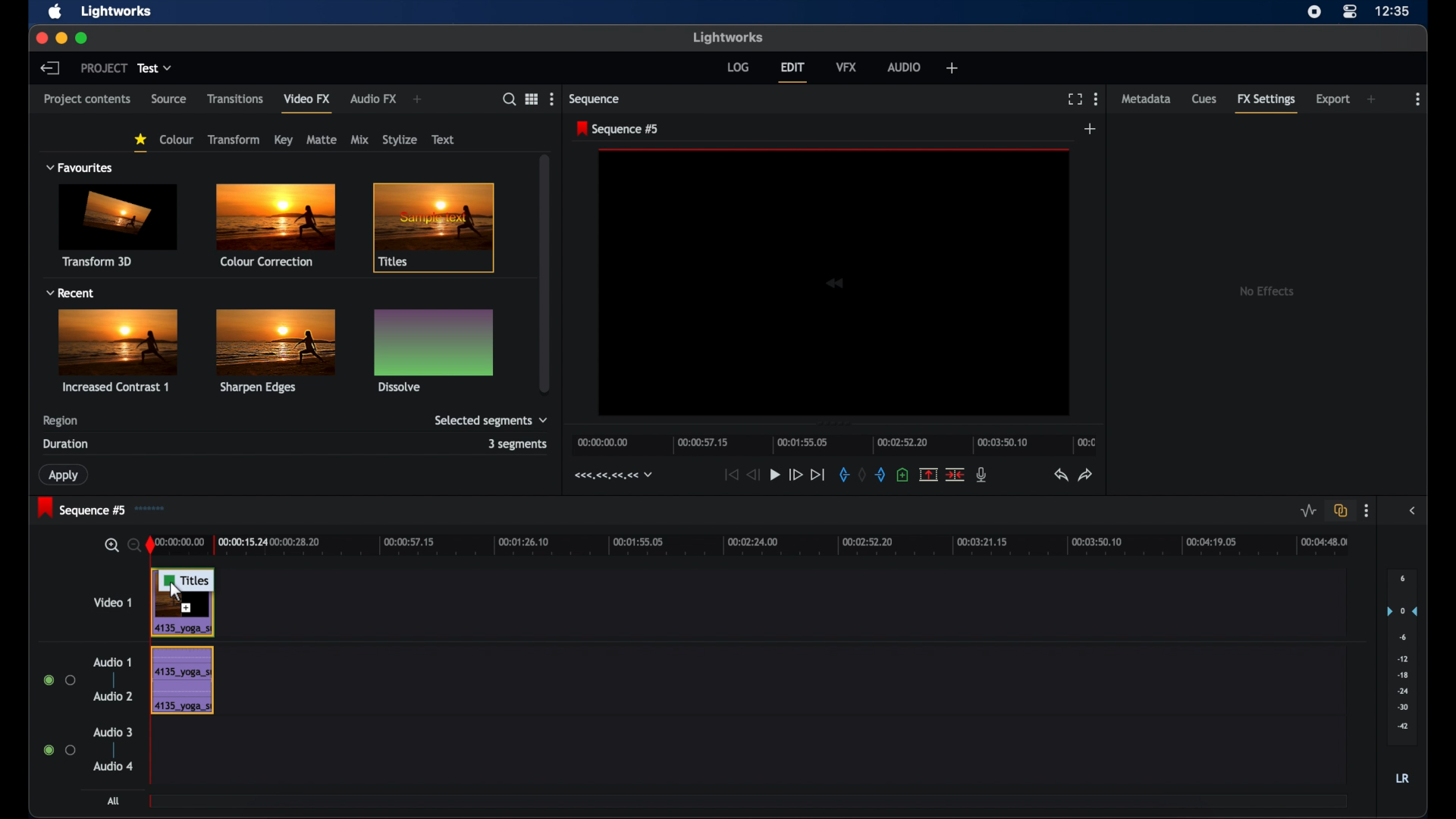 Image resolution: width=1456 pixels, height=819 pixels. Describe the element at coordinates (186, 617) in the screenshot. I see `video clip` at that location.